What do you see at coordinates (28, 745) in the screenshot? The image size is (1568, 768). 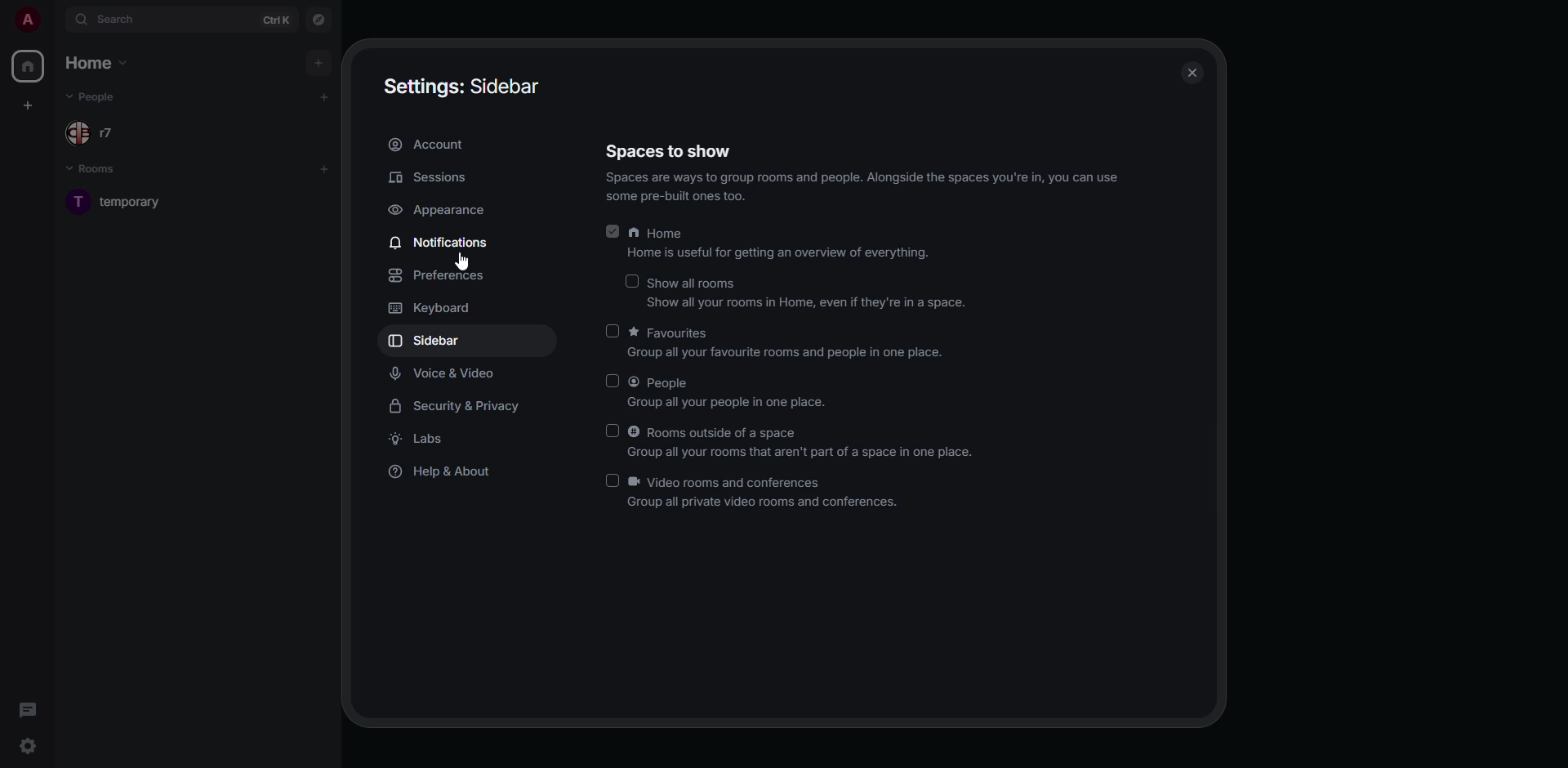 I see `quick settings` at bounding box center [28, 745].